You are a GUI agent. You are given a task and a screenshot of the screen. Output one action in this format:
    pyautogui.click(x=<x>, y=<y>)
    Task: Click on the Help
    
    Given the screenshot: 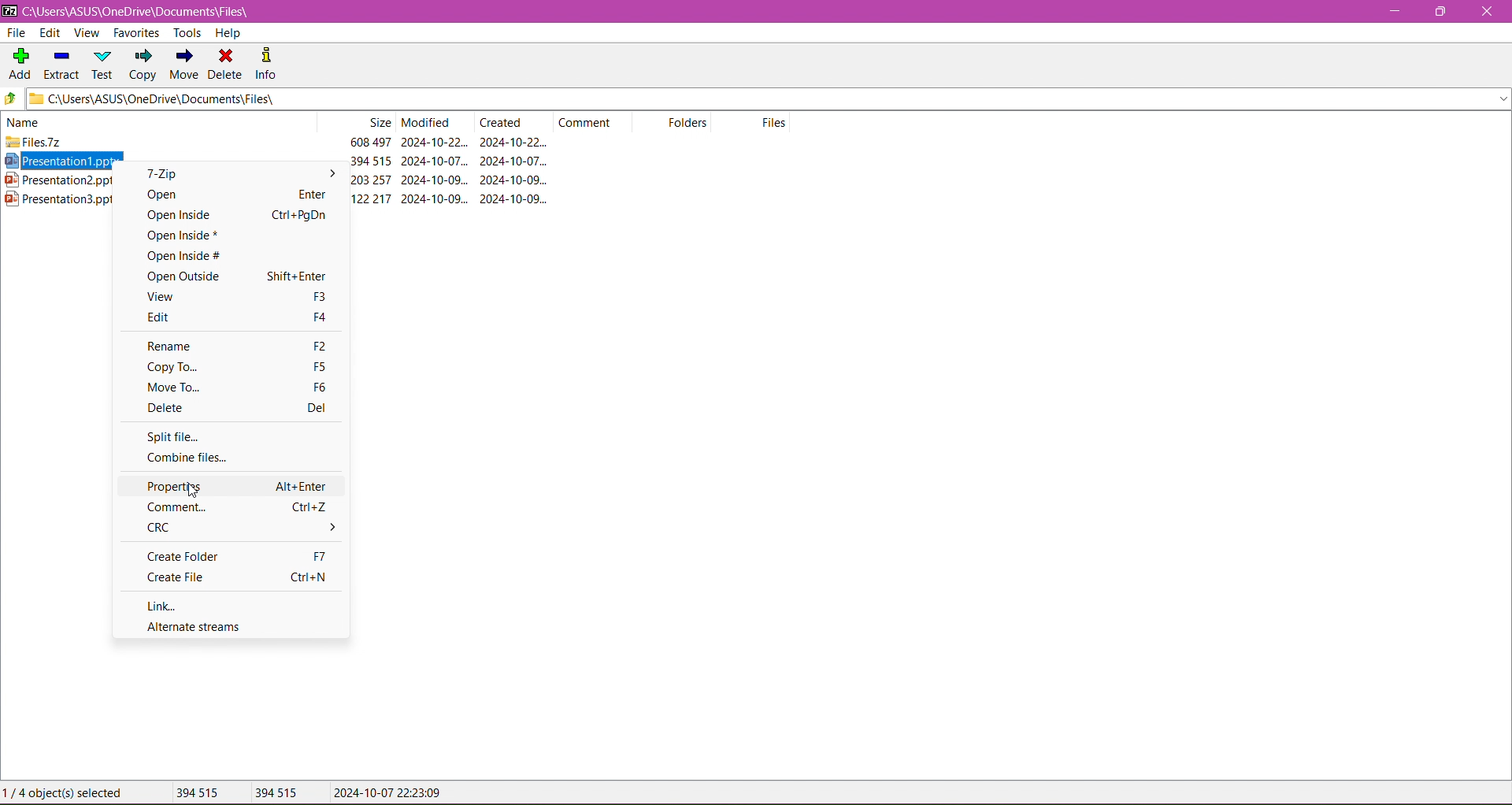 What is the action you would take?
    pyautogui.click(x=229, y=32)
    